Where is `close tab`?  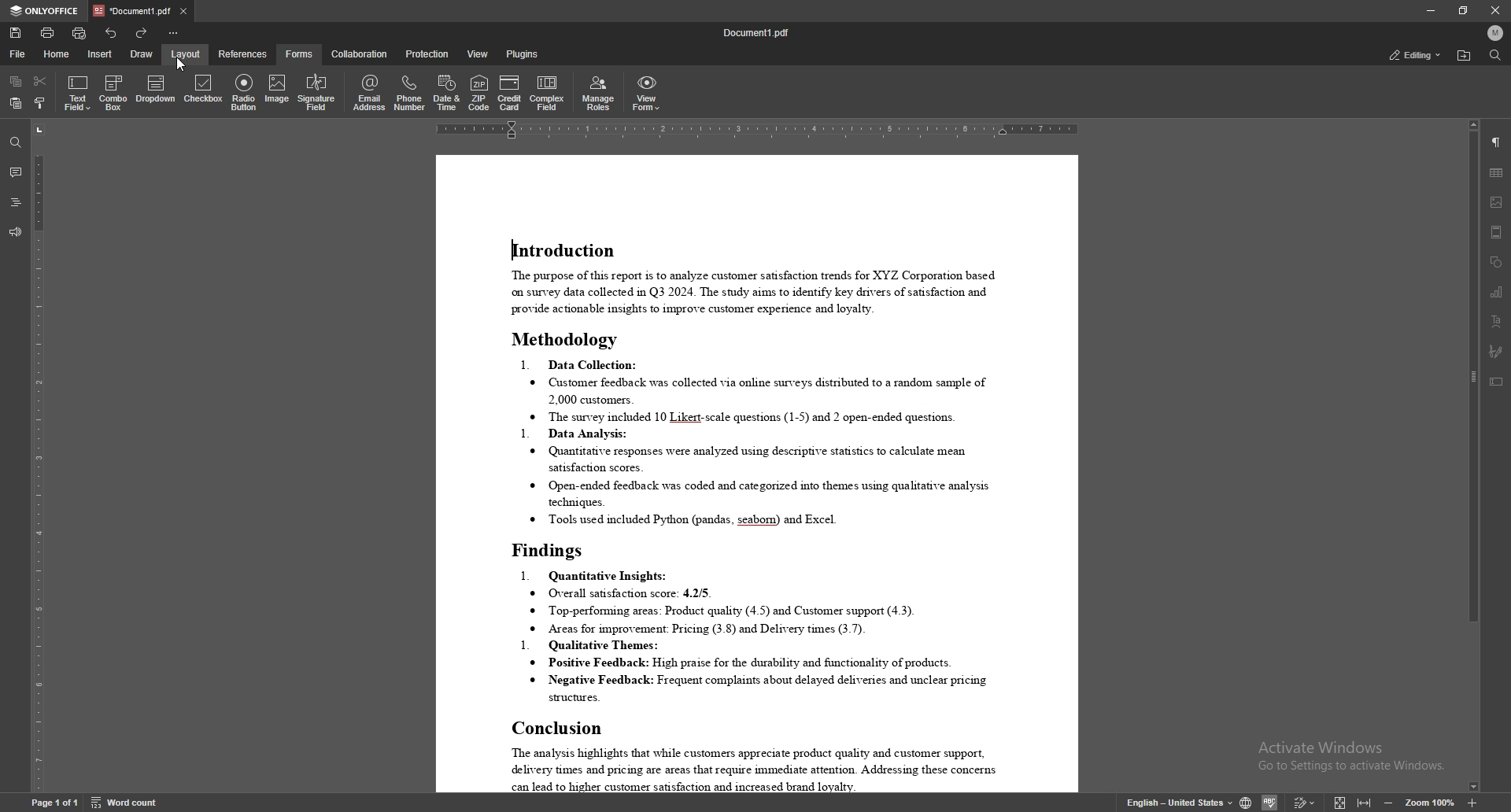 close tab is located at coordinates (185, 11).